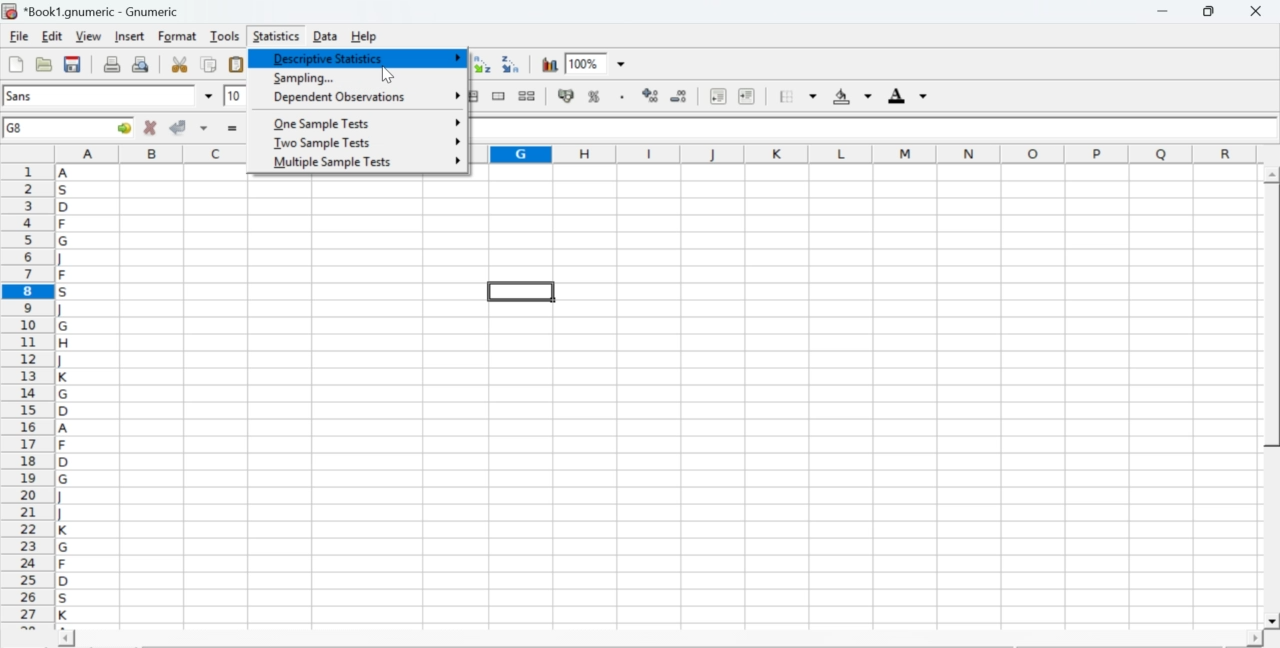  I want to click on center horizontally, so click(415, 96).